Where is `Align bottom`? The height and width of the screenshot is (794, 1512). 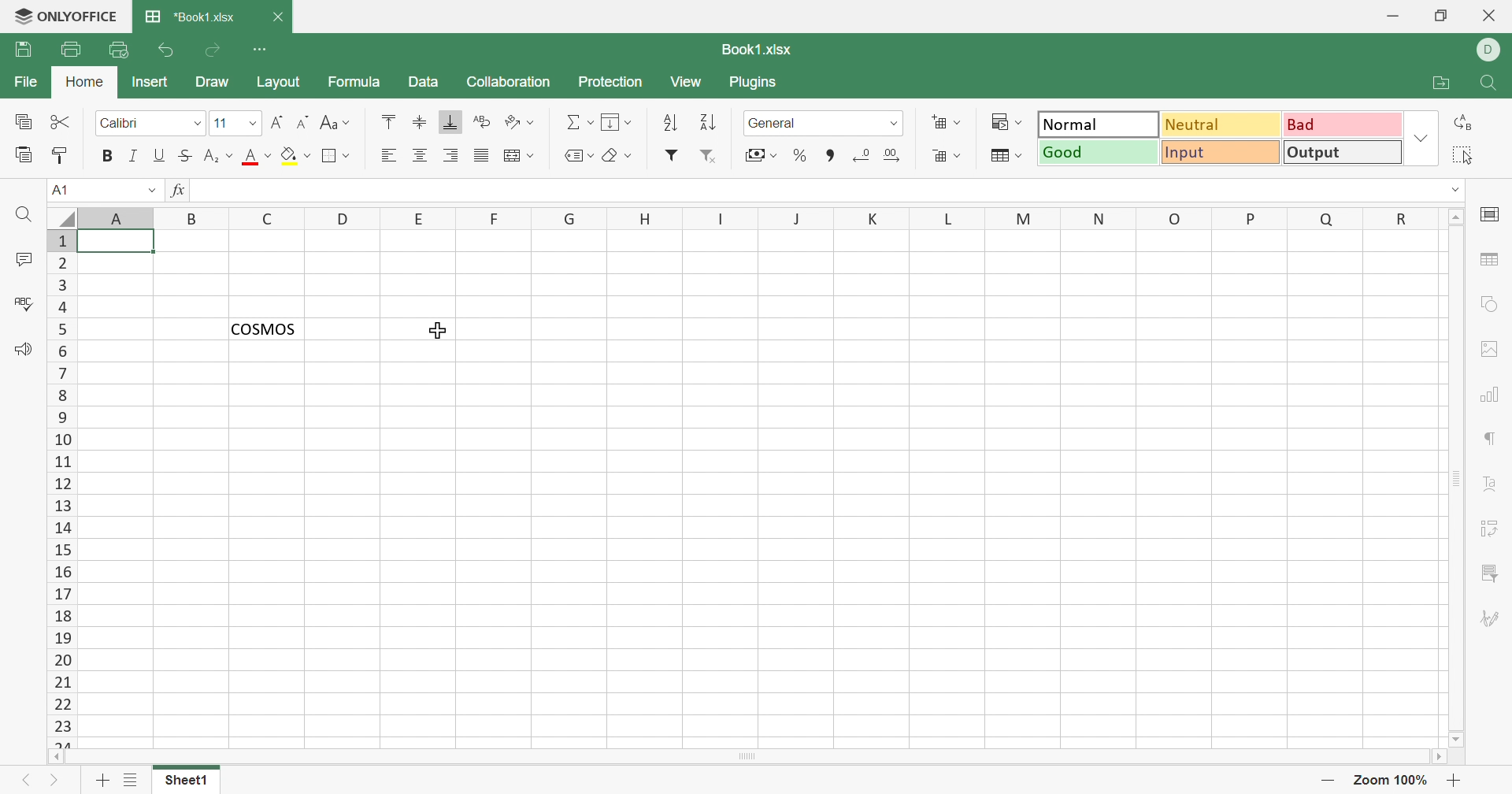 Align bottom is located at coordinates (451, 122).